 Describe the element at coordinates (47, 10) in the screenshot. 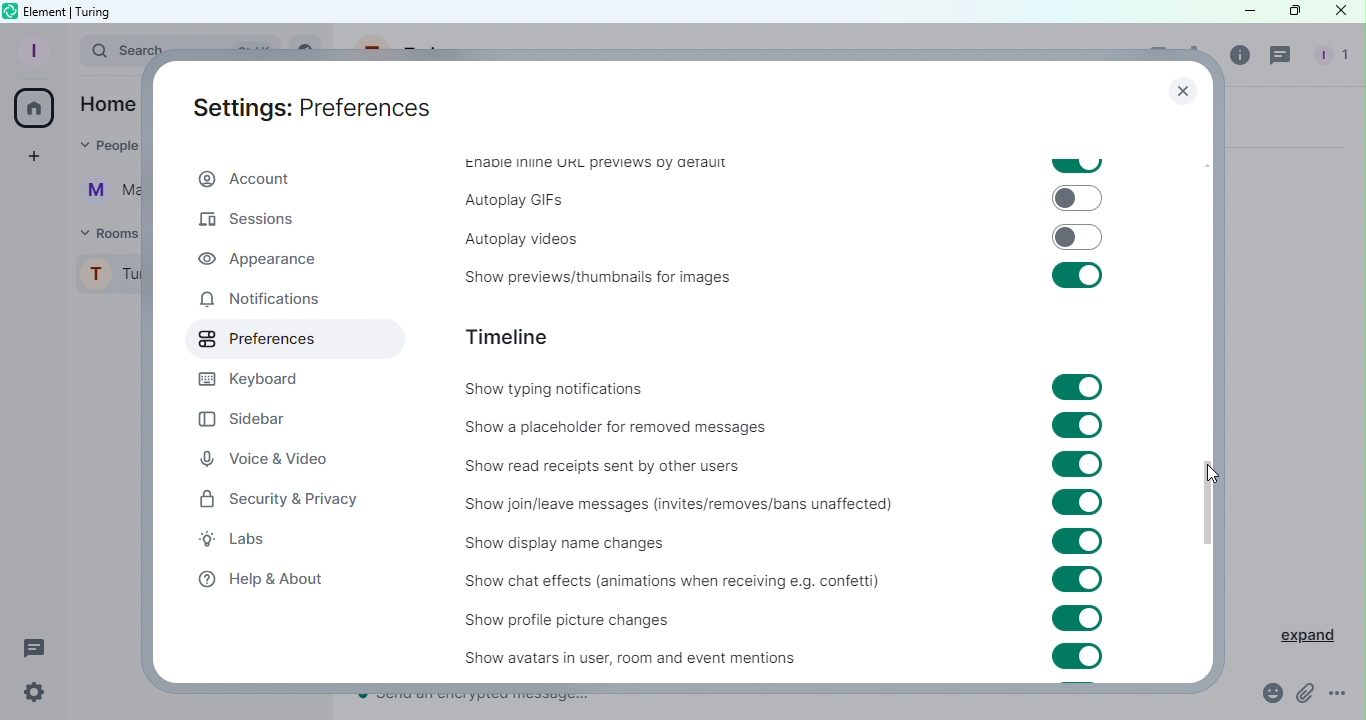

I see `Element ` at that location.